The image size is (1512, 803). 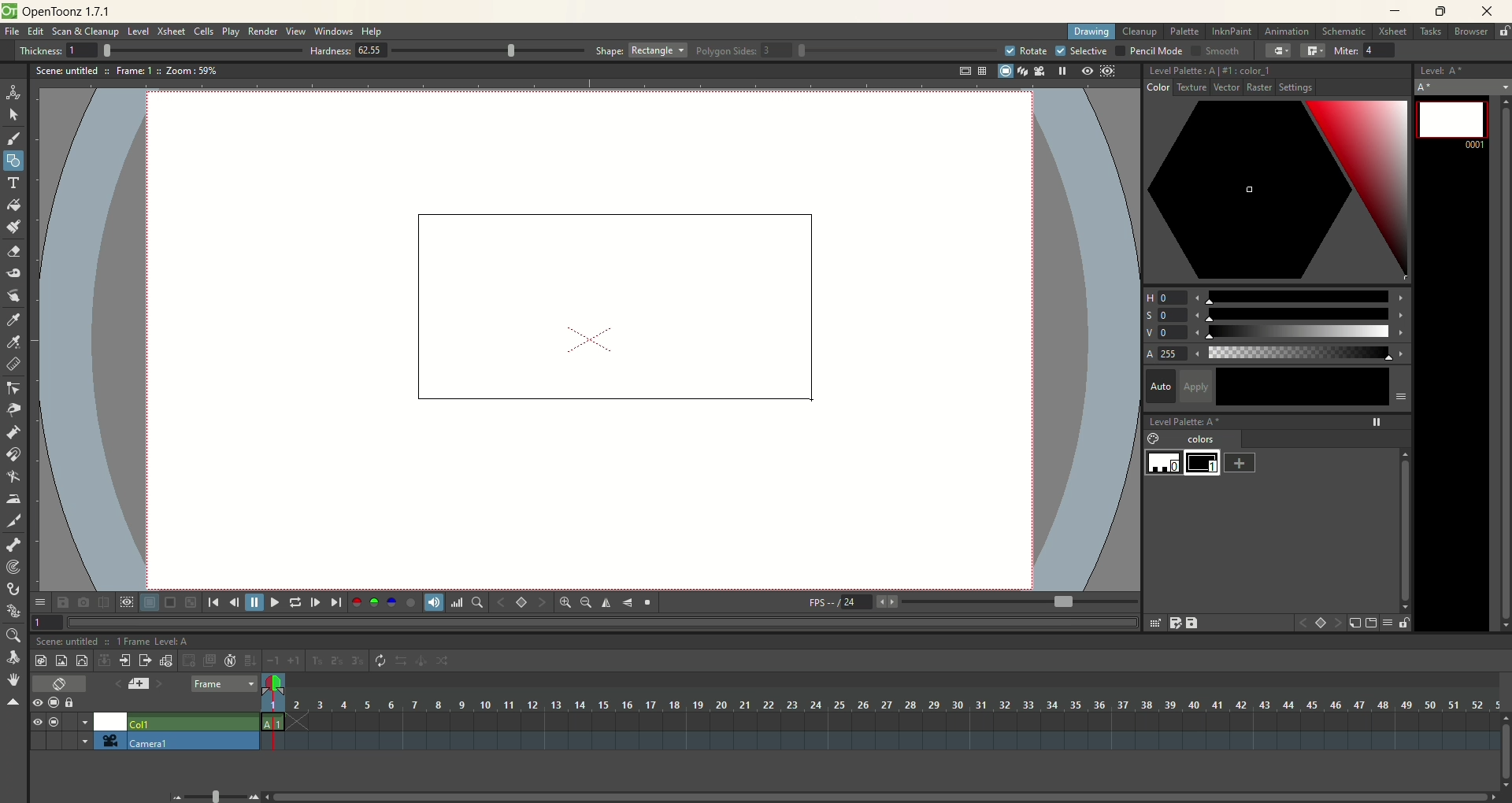 What do you see at coordinates (1240, 462) in the screenshot?
I see `Add color` at bounding box center [1240, 462].